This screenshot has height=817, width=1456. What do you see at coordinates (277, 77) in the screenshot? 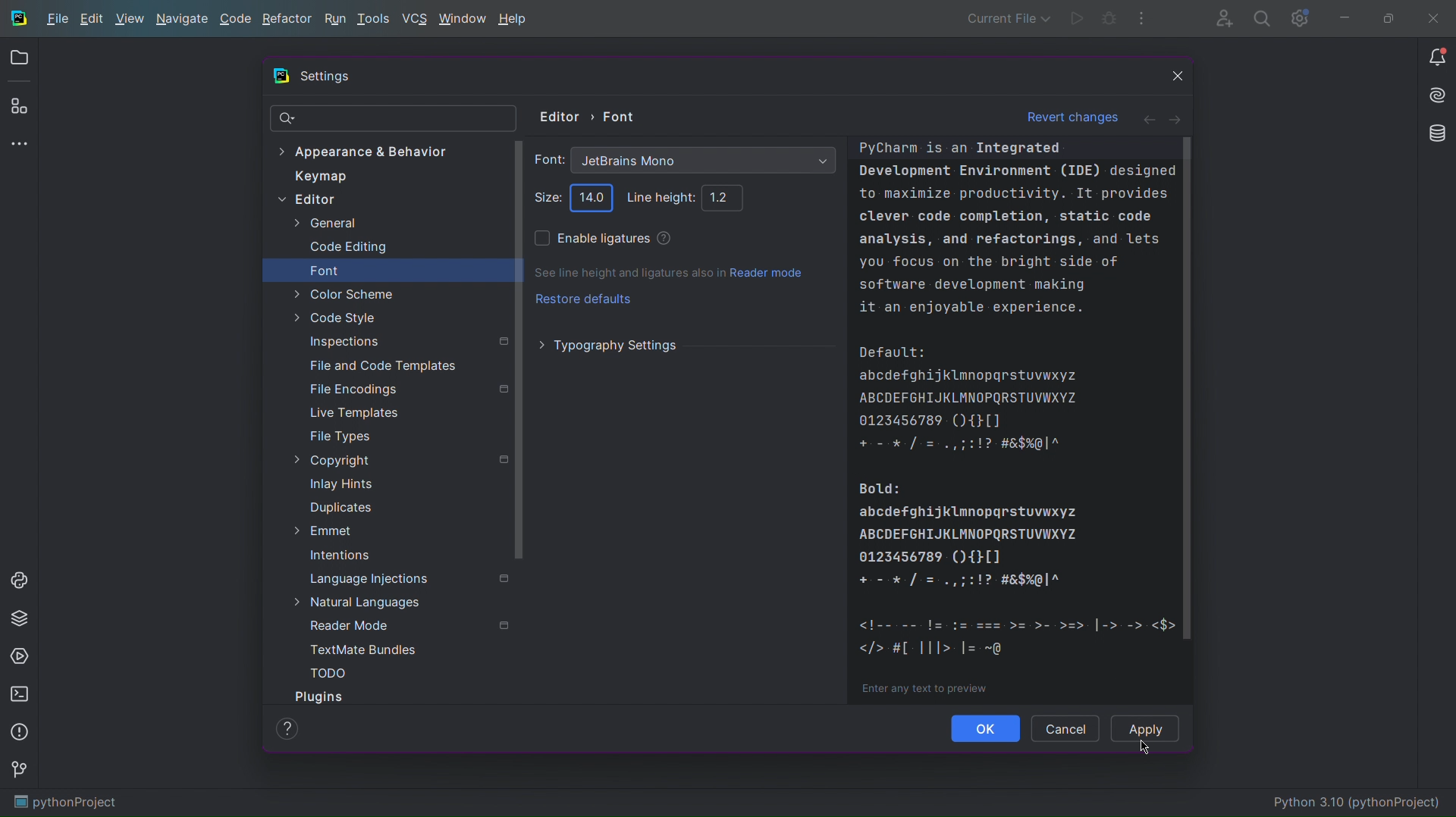
I see `Logo` at bounding box center [277, 77].